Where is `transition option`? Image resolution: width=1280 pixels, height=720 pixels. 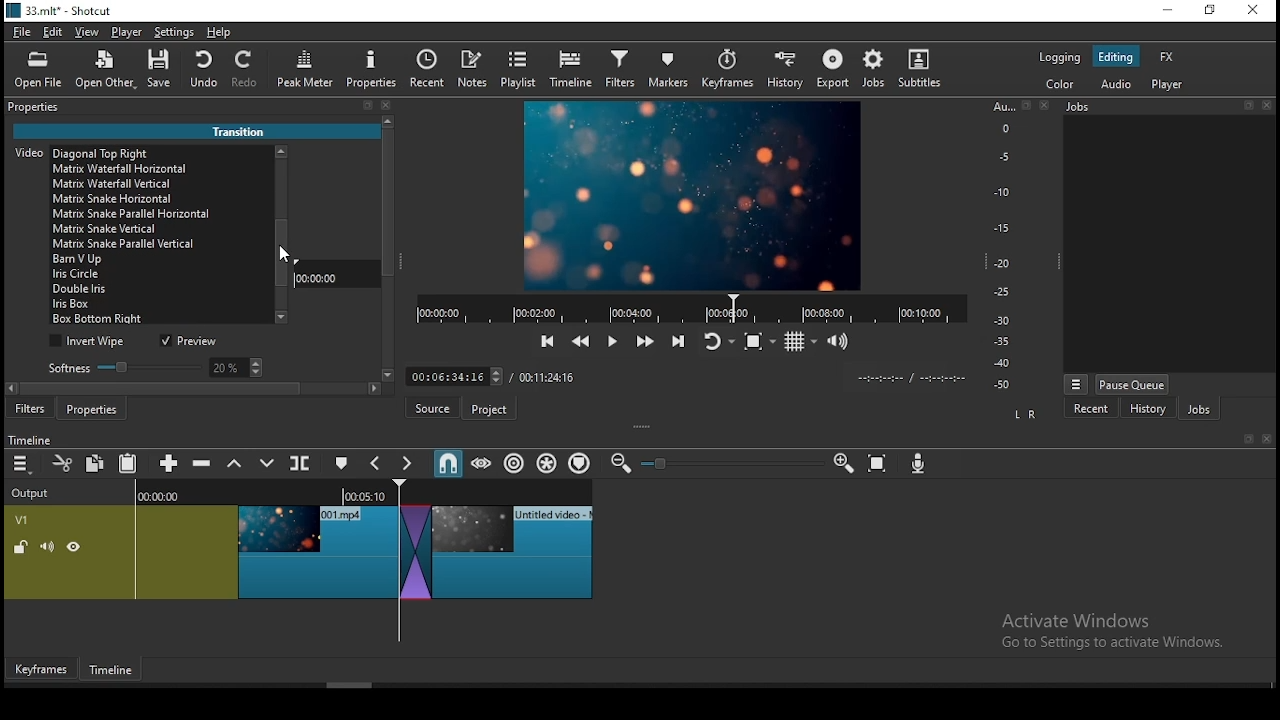
transition option is located at coordinates (159, 229).